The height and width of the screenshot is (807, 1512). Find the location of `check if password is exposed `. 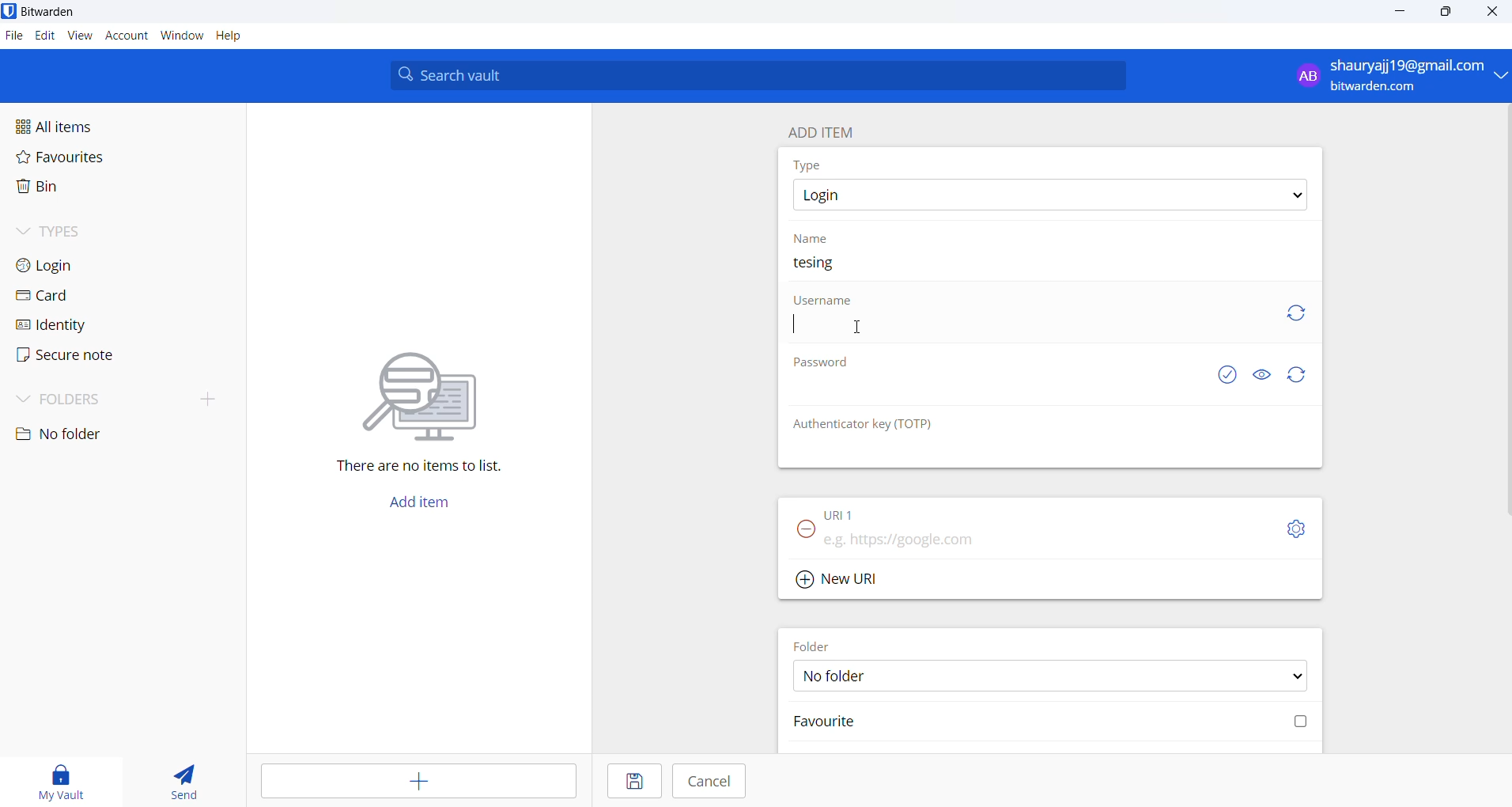

check if password is exposed  is located at coordinates (1227, 375).